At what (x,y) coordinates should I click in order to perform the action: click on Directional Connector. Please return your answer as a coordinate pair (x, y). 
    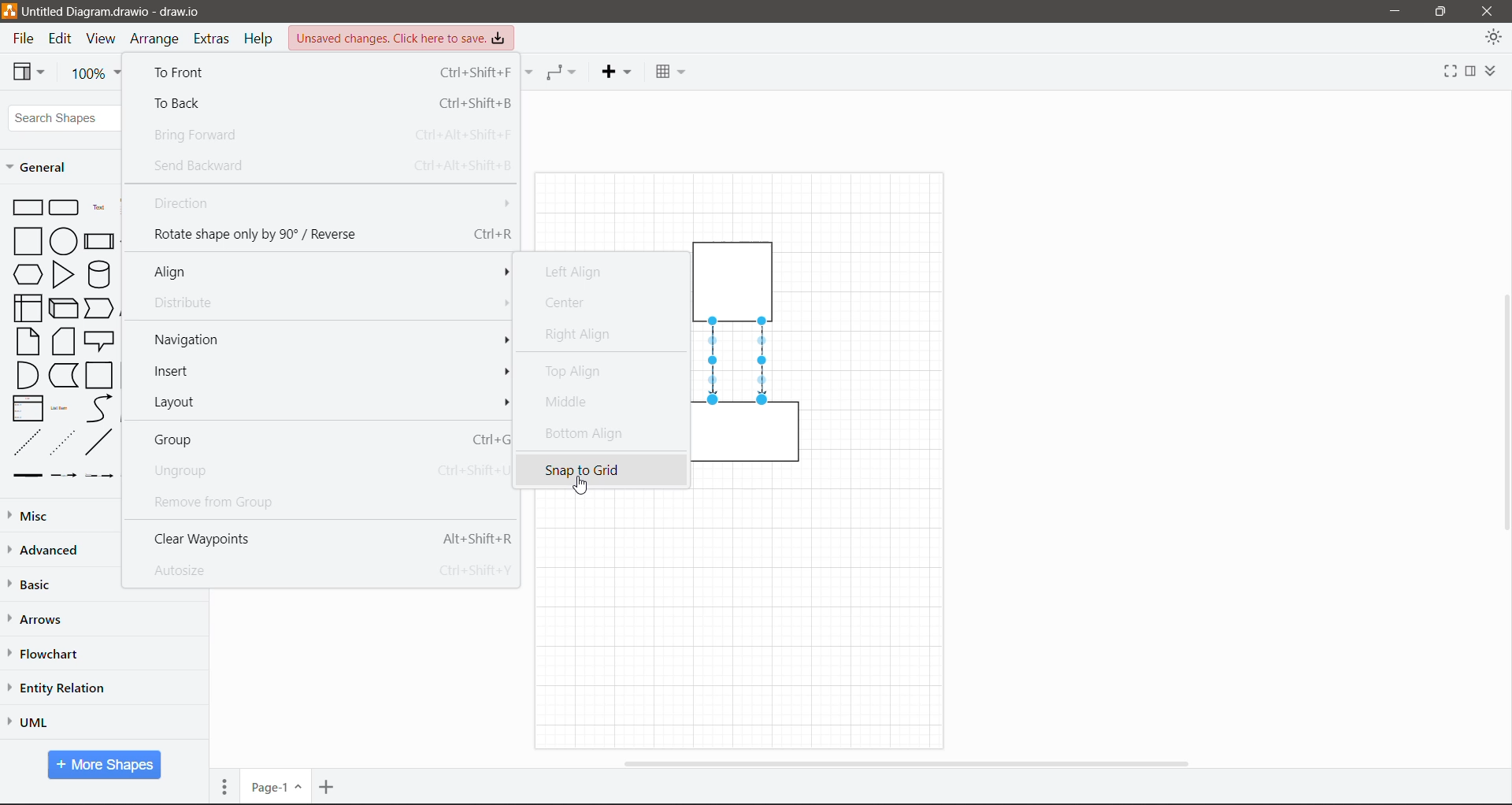
    Looking at the image, I should click on (764, 362).